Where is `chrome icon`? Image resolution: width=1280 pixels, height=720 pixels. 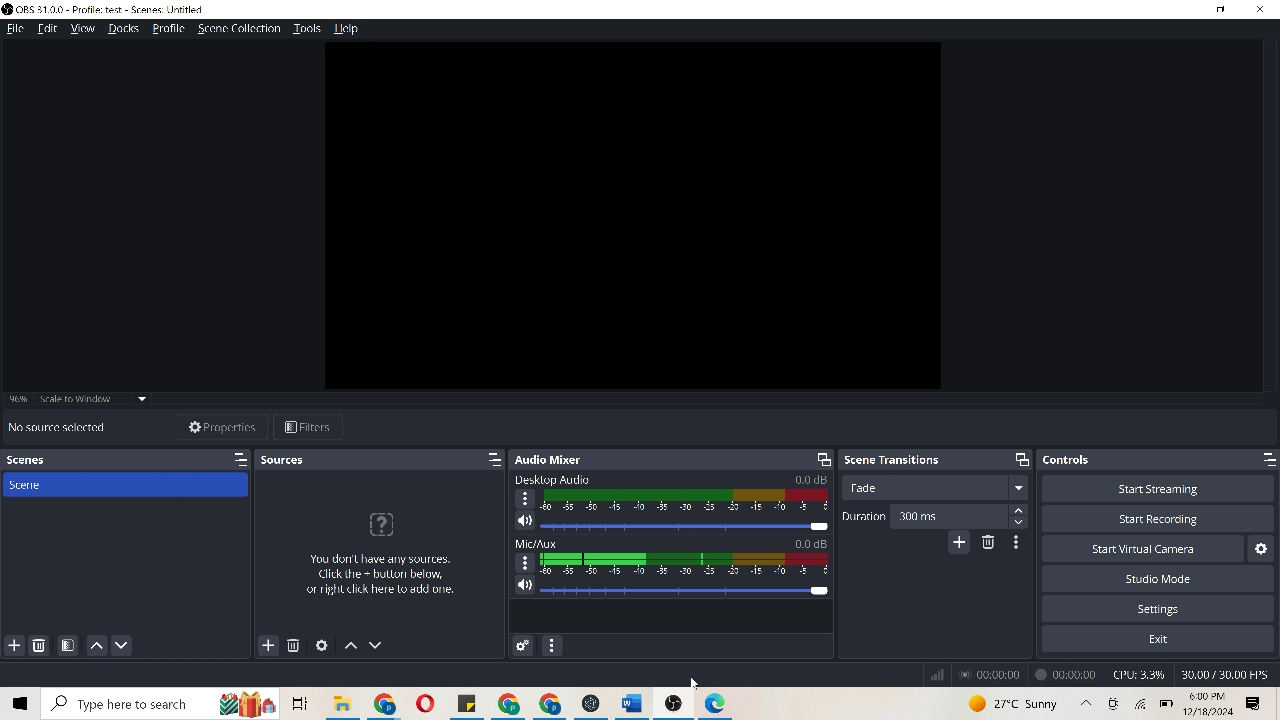 chrome icon is located at coordinates (533, 704).